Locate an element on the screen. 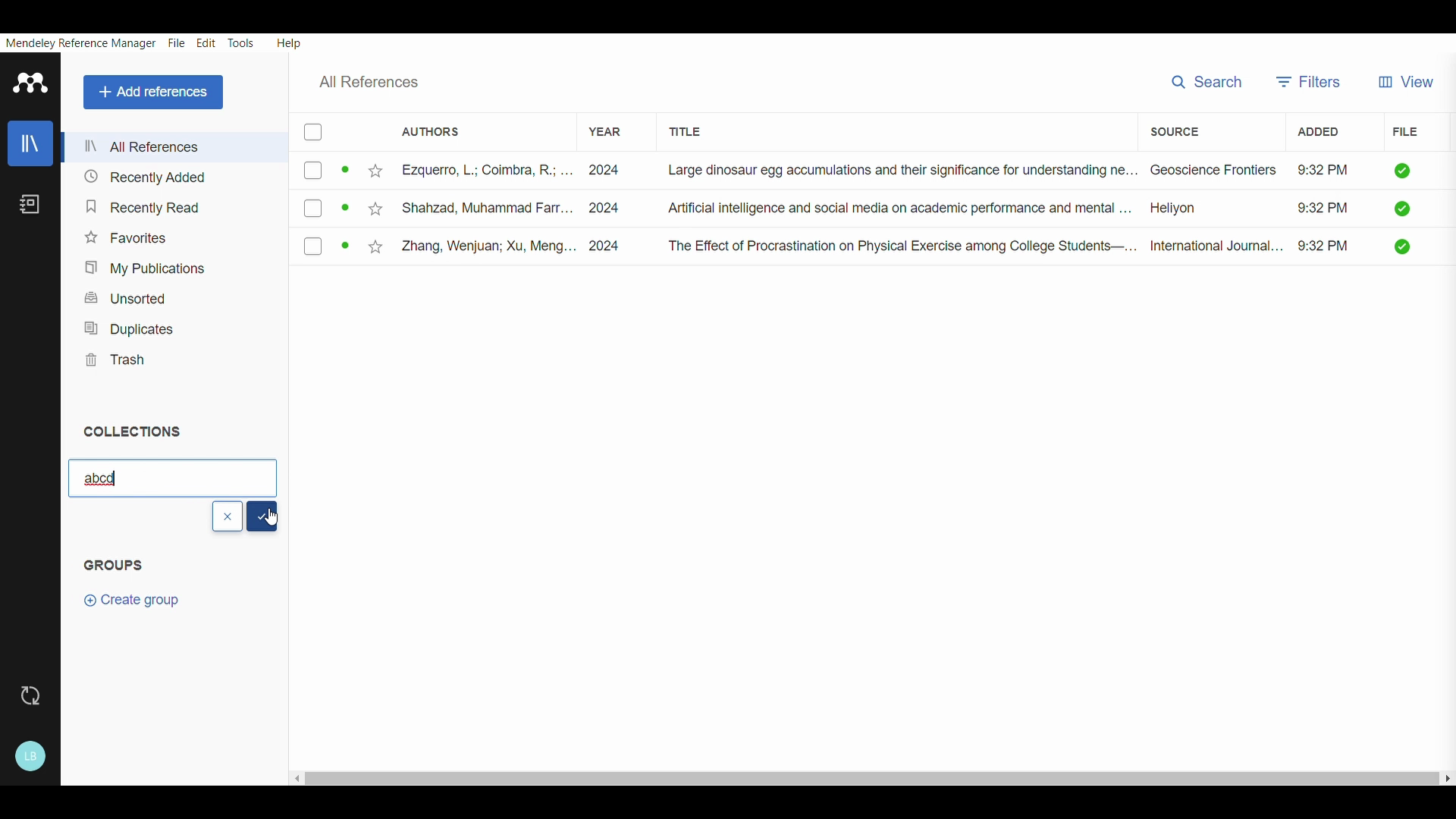  Duplicates is located at coordinates (127, 325).